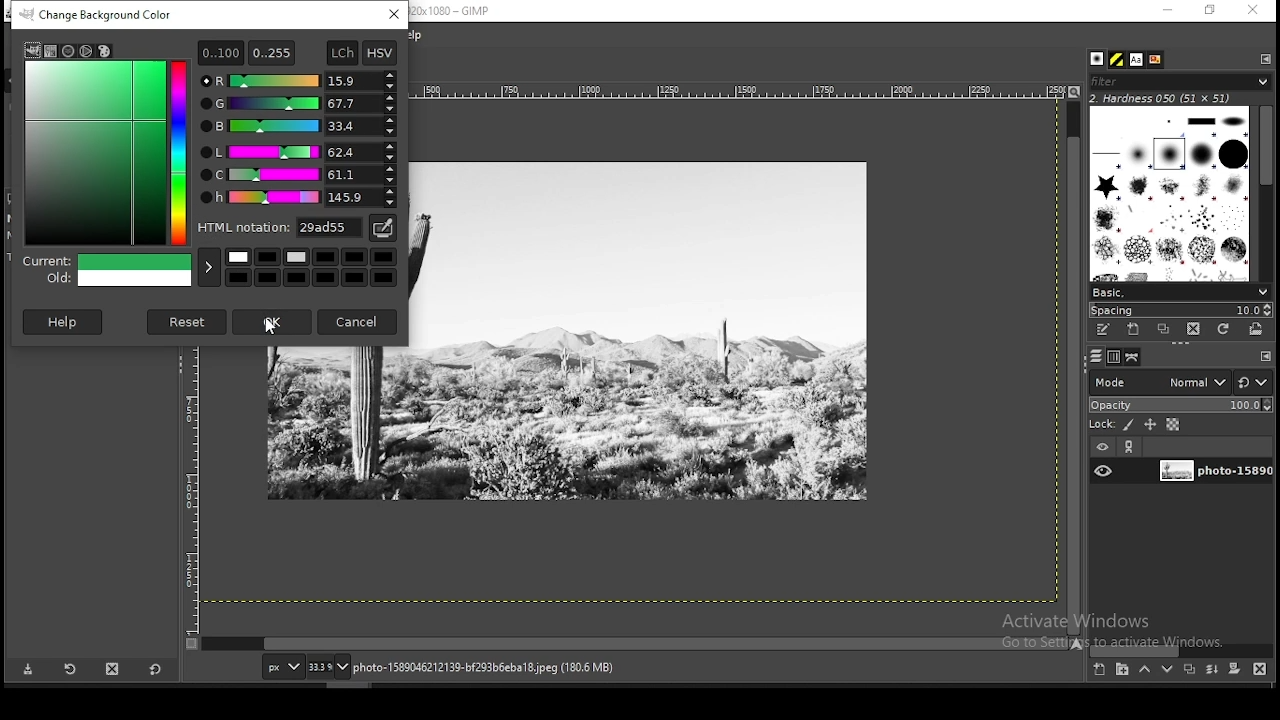 The image size is (1280, 720). Describe the element at coordinates (1099, 59) in the screenshot. I see `brushes` at that location.